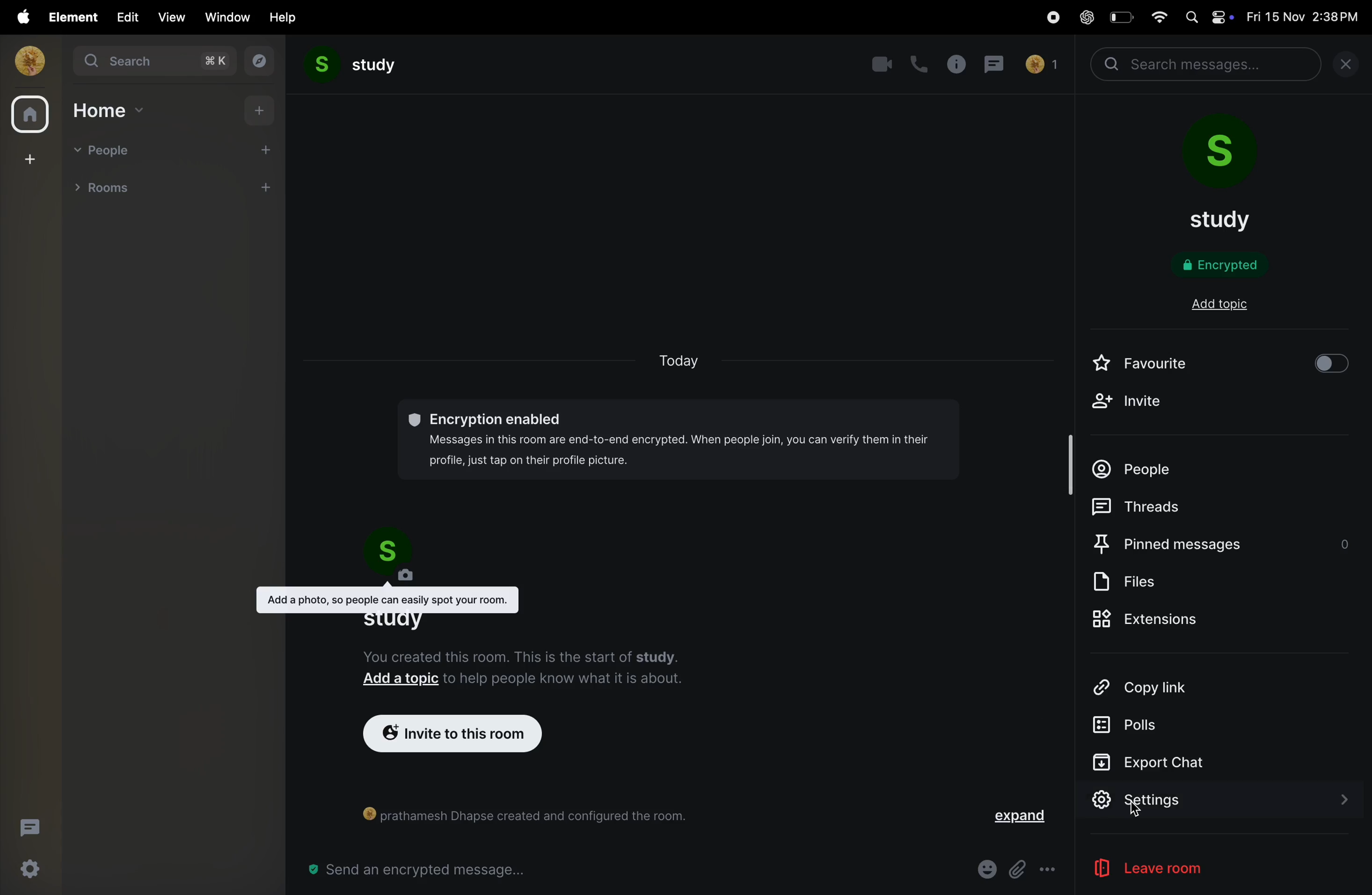 The image size is (1372, 895). I want to click on favourite, so click(1141, 363).